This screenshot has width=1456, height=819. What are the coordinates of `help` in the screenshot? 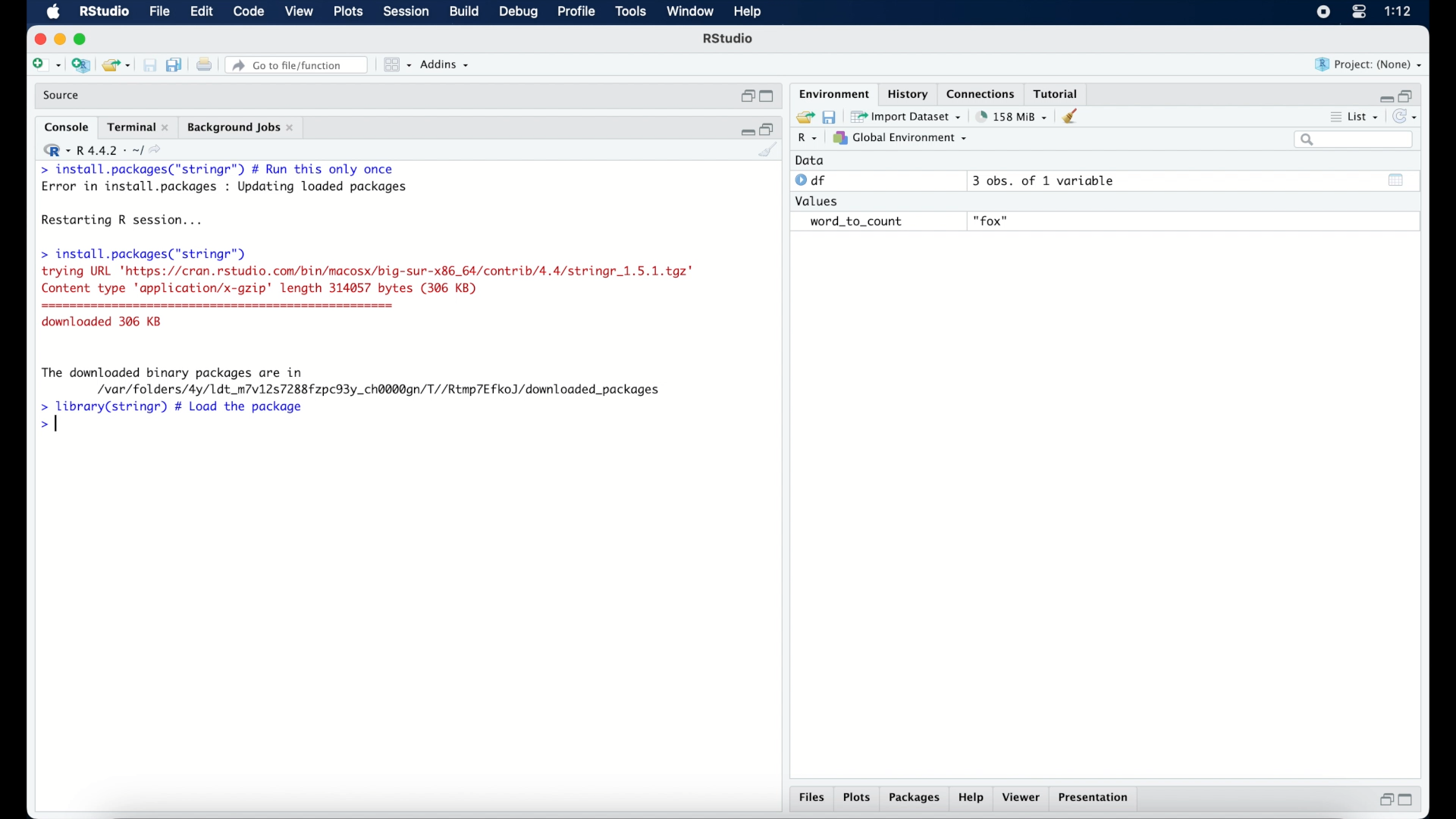 It's located at (973, 799).